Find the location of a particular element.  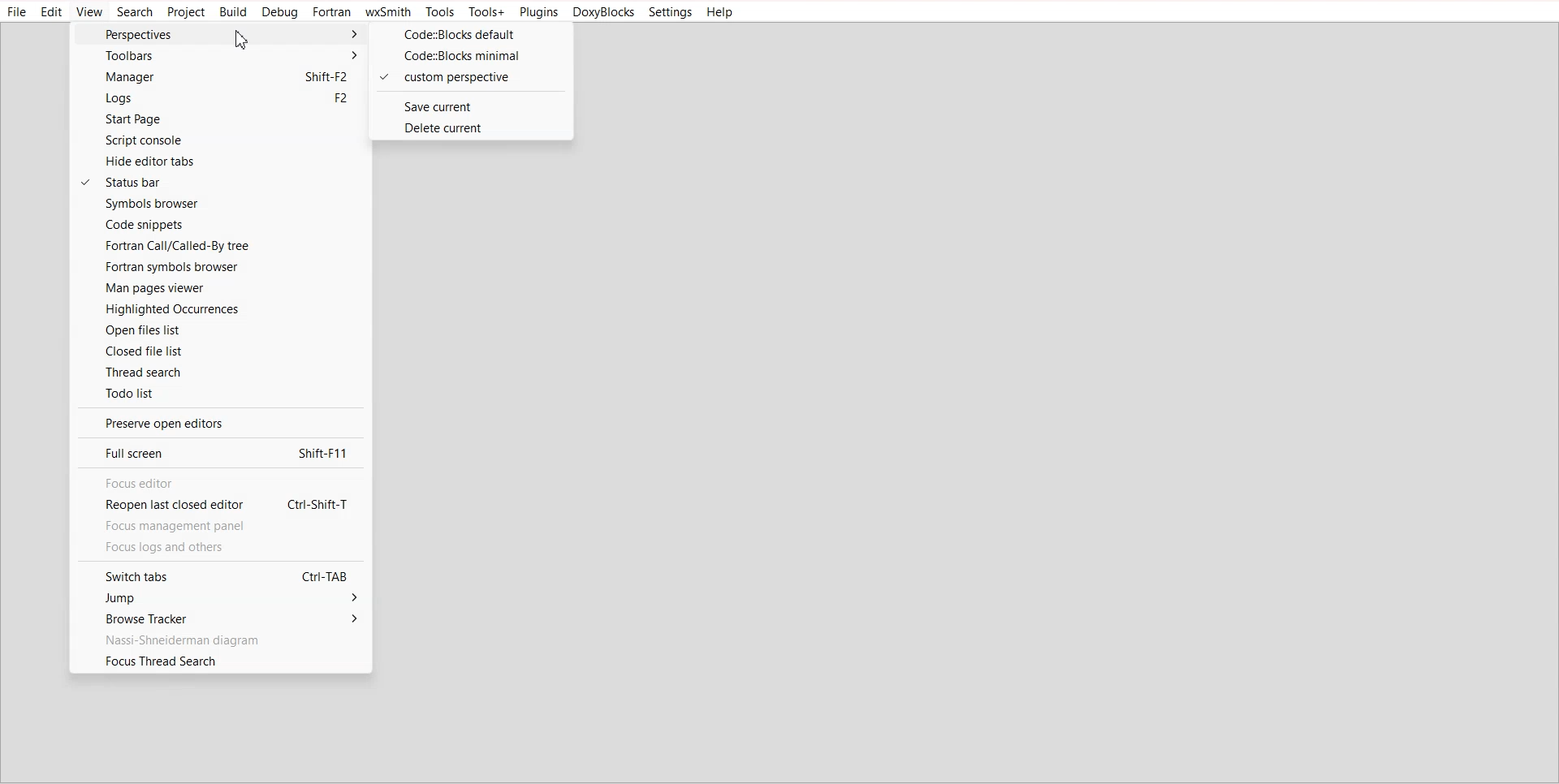

Closed file list is located at coordinates (221, 351).